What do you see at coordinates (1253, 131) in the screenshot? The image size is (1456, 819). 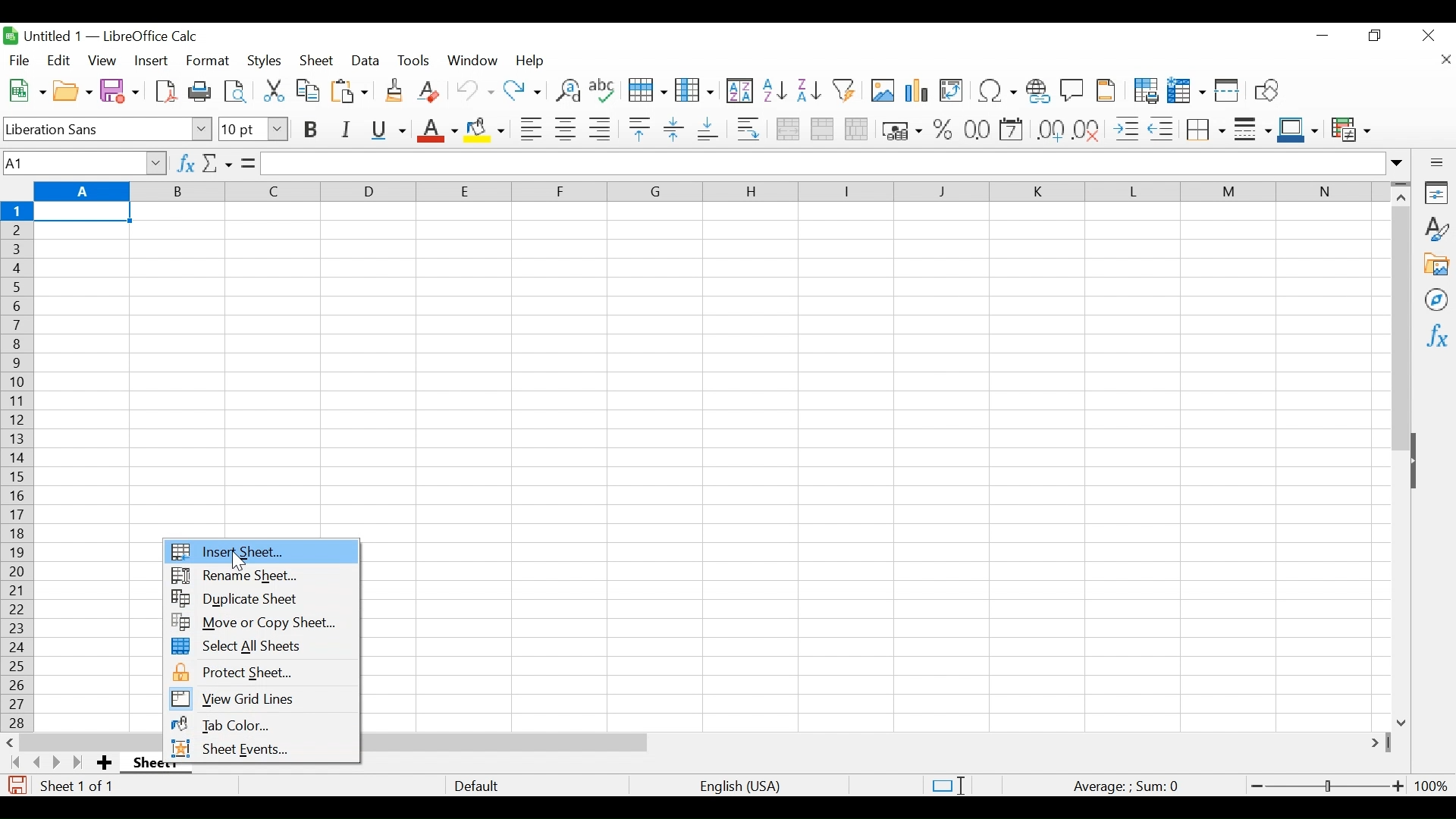 I see `Border Style` at bounding box center [1253, 131].